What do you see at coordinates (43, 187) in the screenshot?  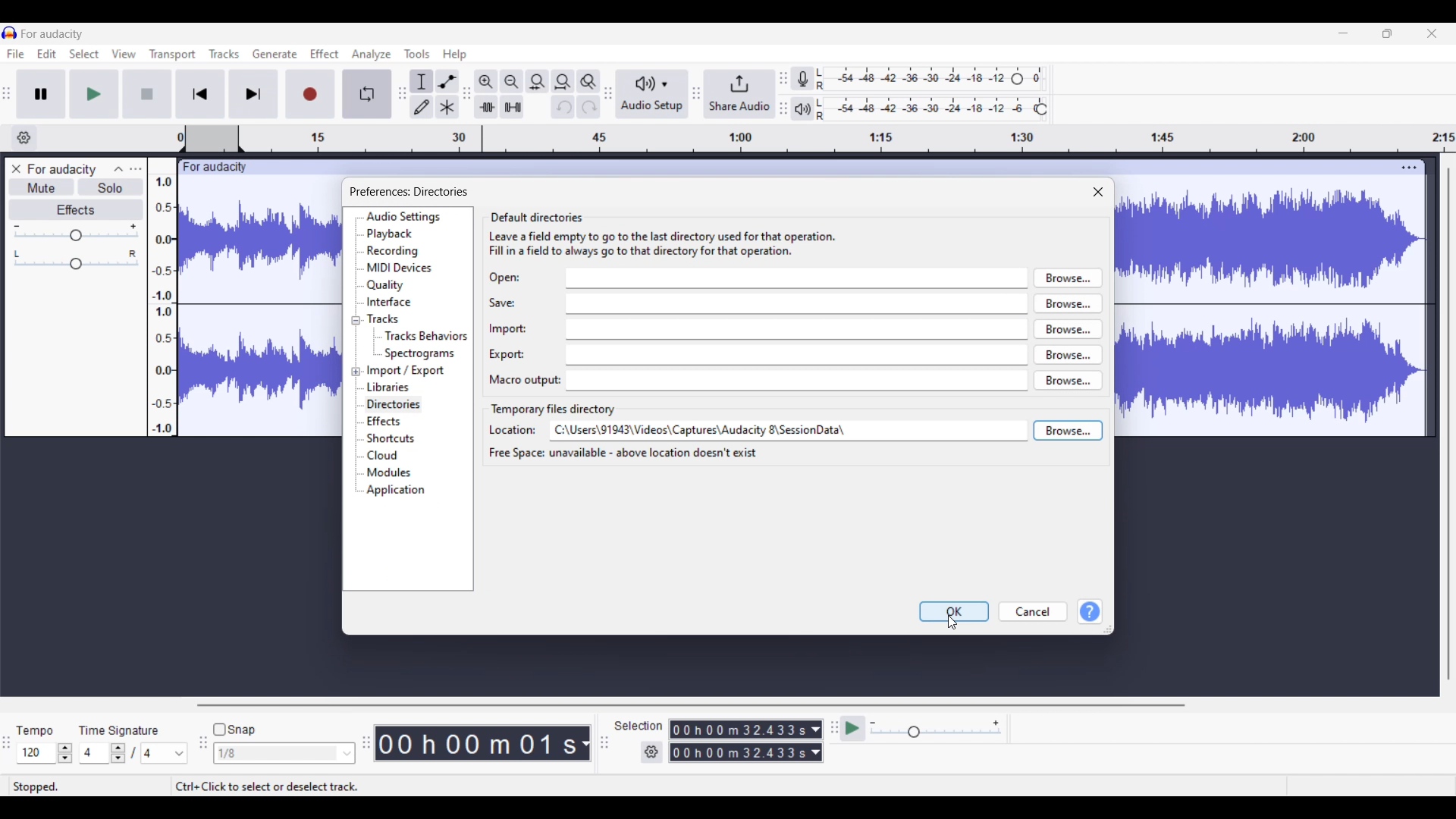 I see `Mute` at bounding box center [43, 187].